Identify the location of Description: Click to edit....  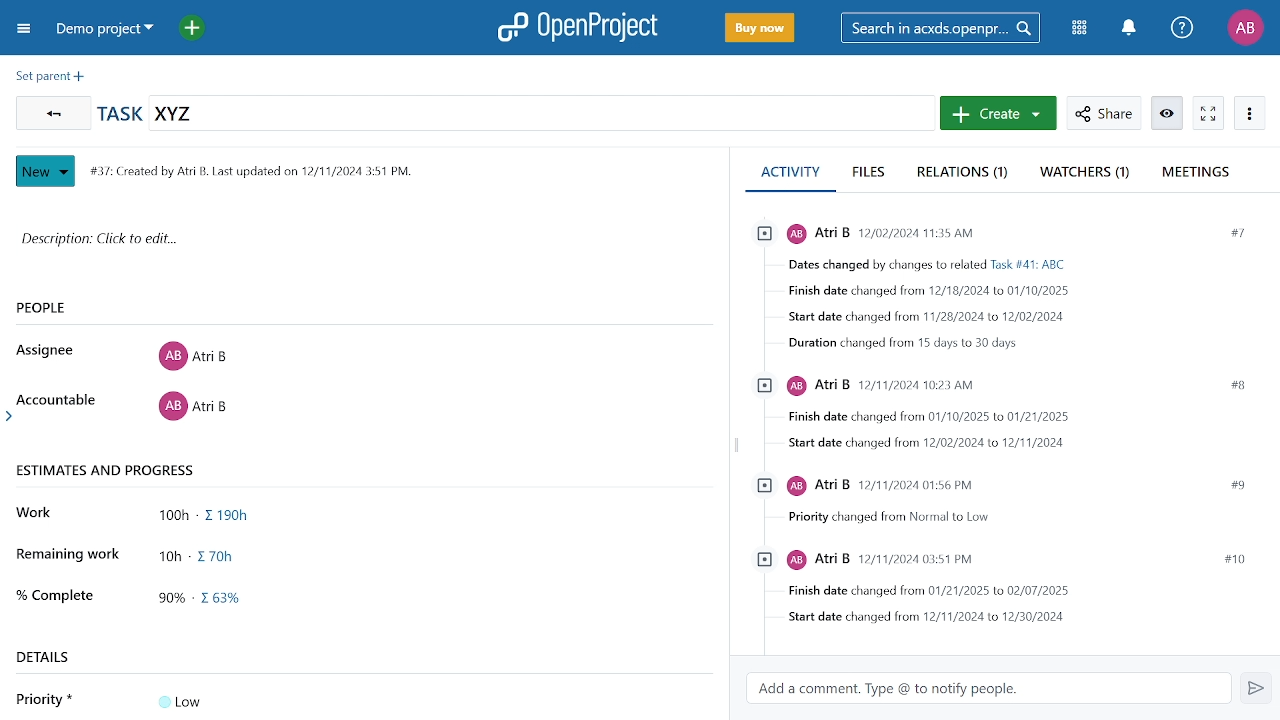
(111, 237).